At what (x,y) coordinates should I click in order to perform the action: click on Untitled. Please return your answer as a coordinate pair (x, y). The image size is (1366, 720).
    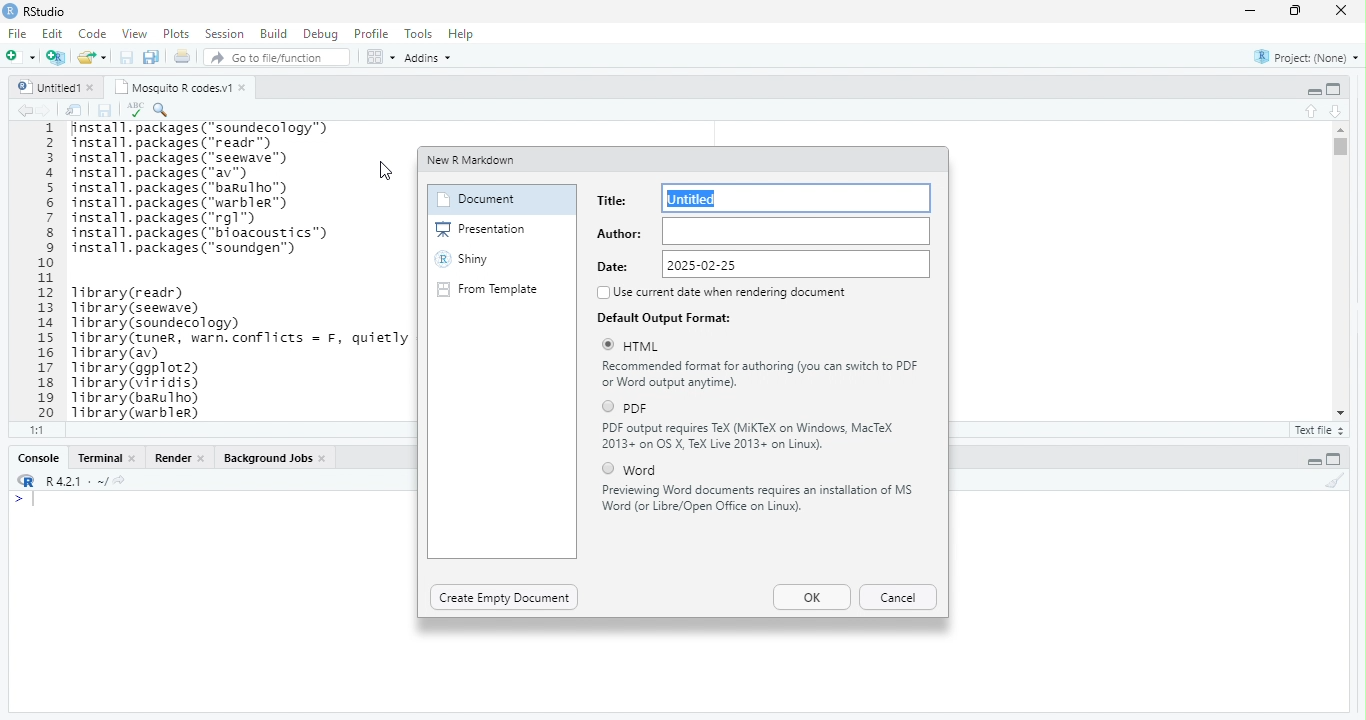
    Looking at the image, I should click on (797, 197).